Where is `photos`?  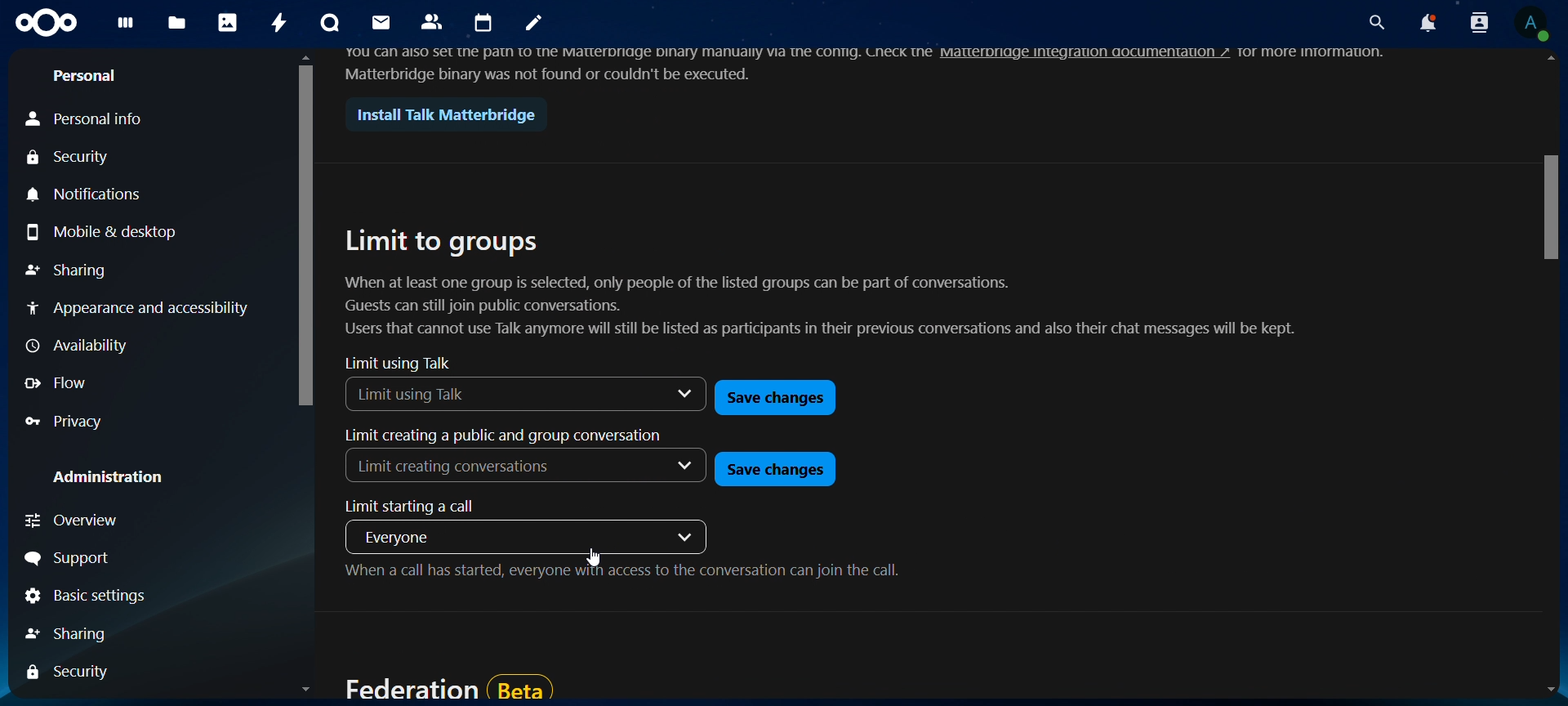 photos is located at coordinates (229, 21).